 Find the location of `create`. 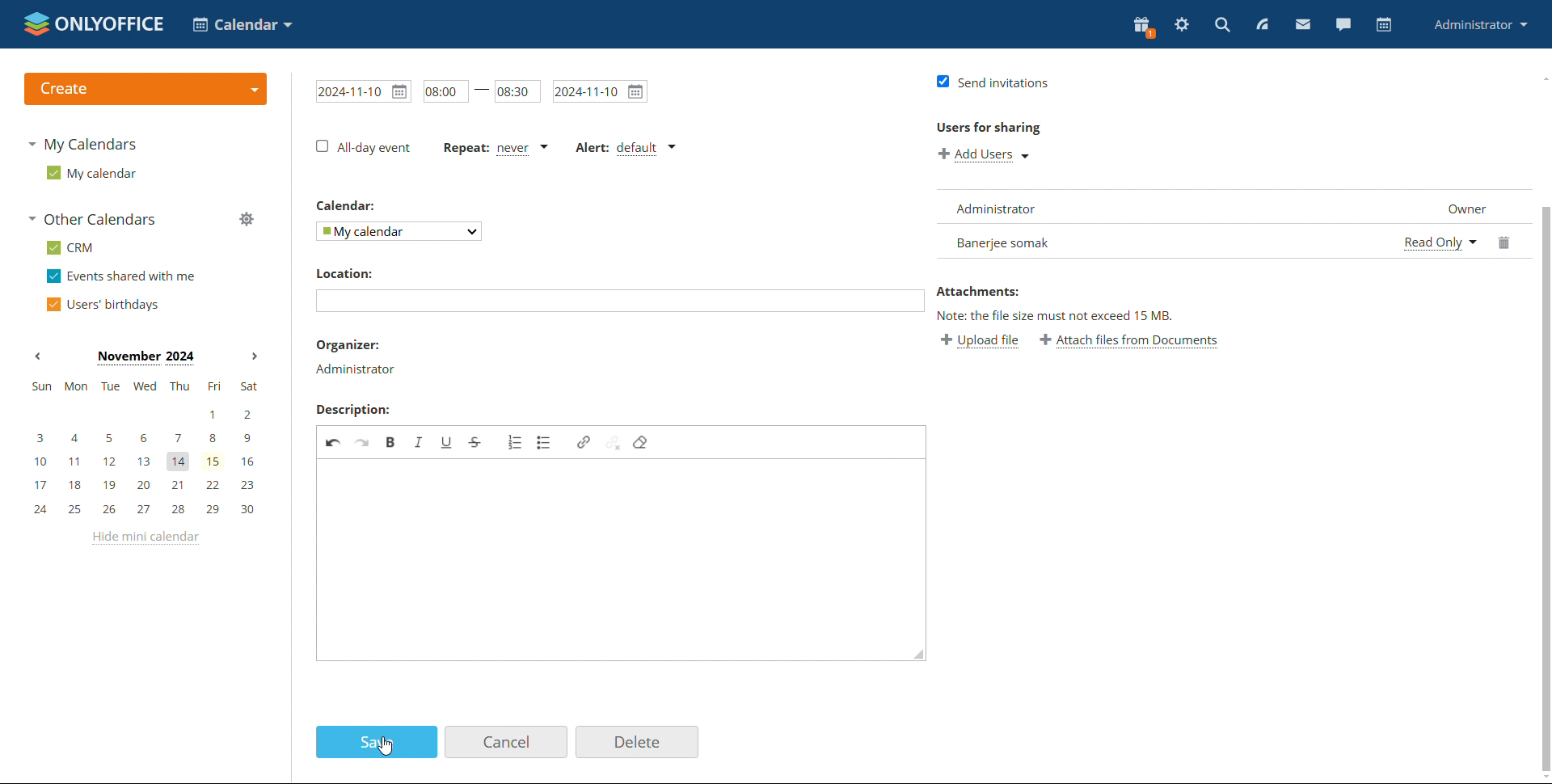

create is located at coordinates (145, 89).